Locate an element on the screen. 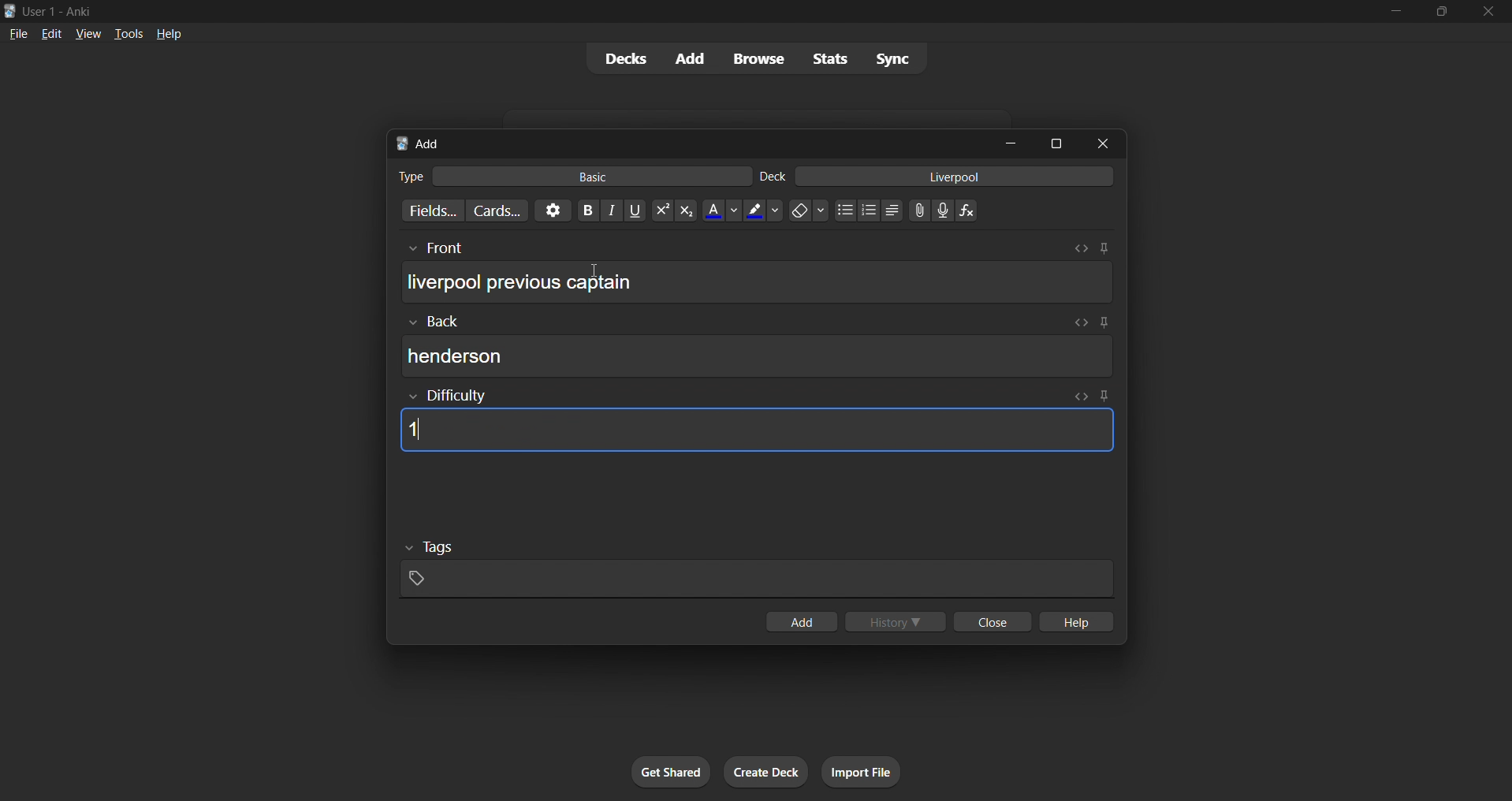 Image resolution: width=1512 pixels, height=801 pixels. card difficulty input box is located at coordinates (753, 420).